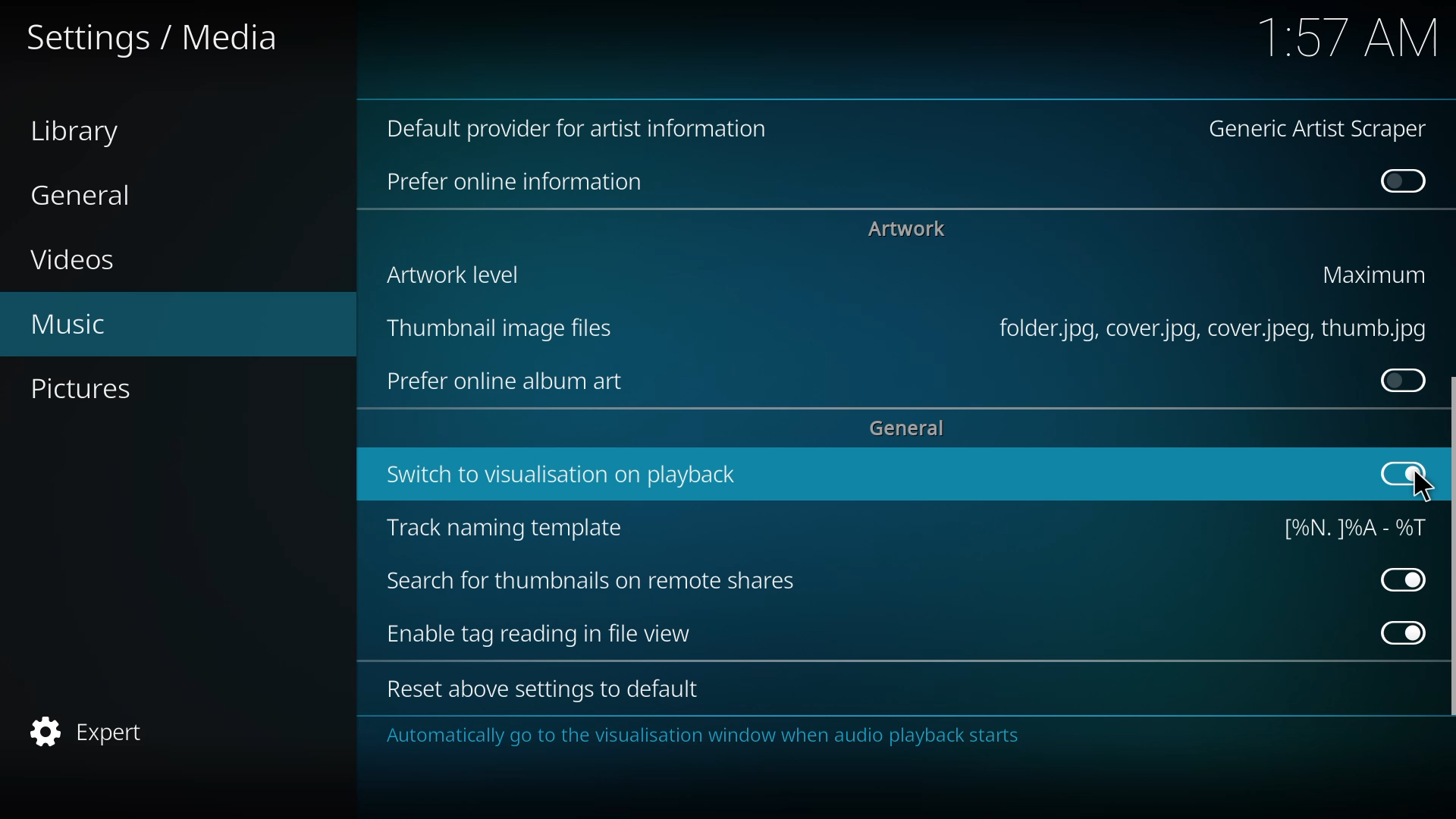  What do you see at coordinates (1345, 36) in the screenshot?
I see `time` at bounding box center [1345, 36].